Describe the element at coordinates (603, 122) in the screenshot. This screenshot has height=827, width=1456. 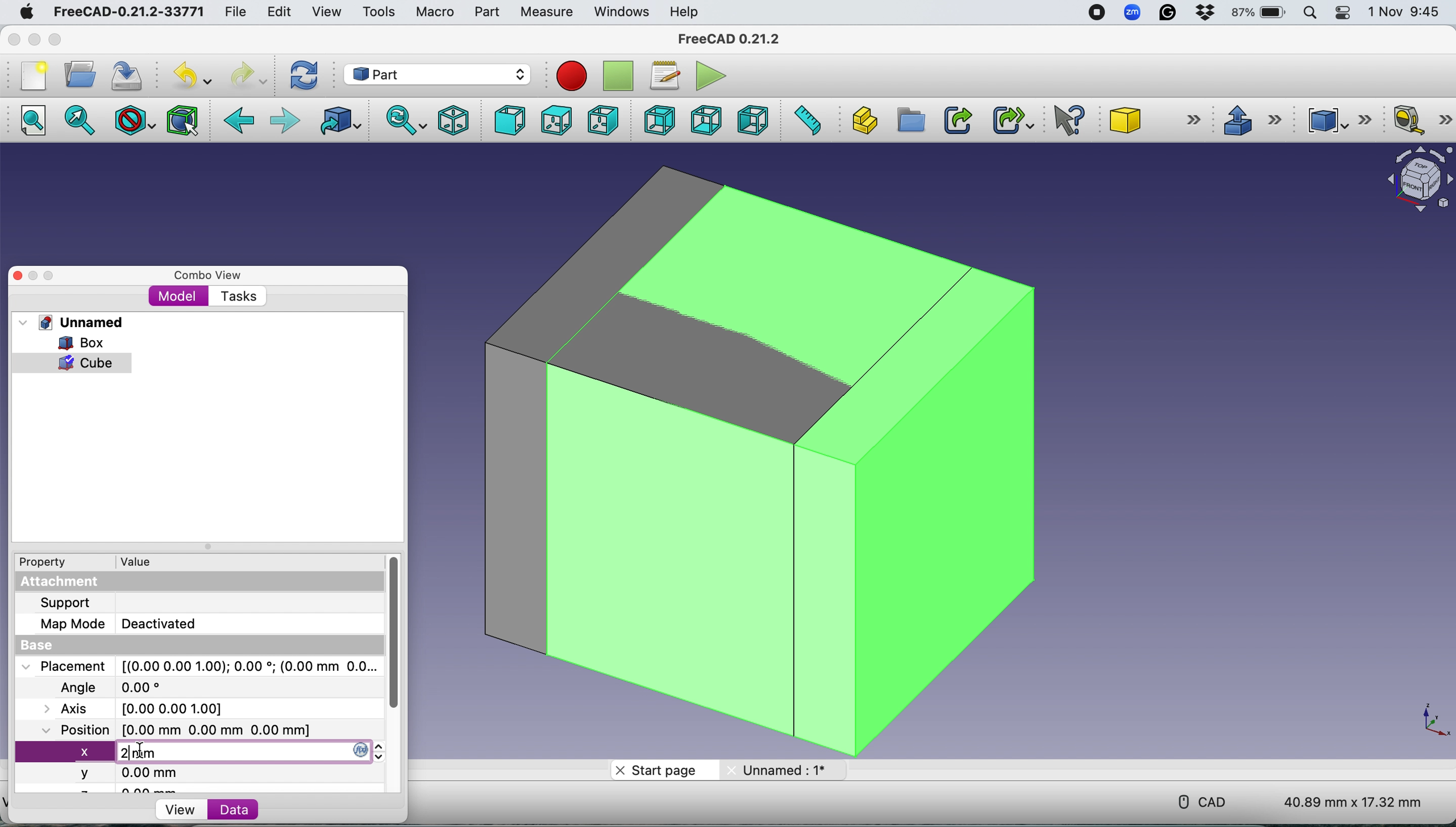
I see `Right` at that location.